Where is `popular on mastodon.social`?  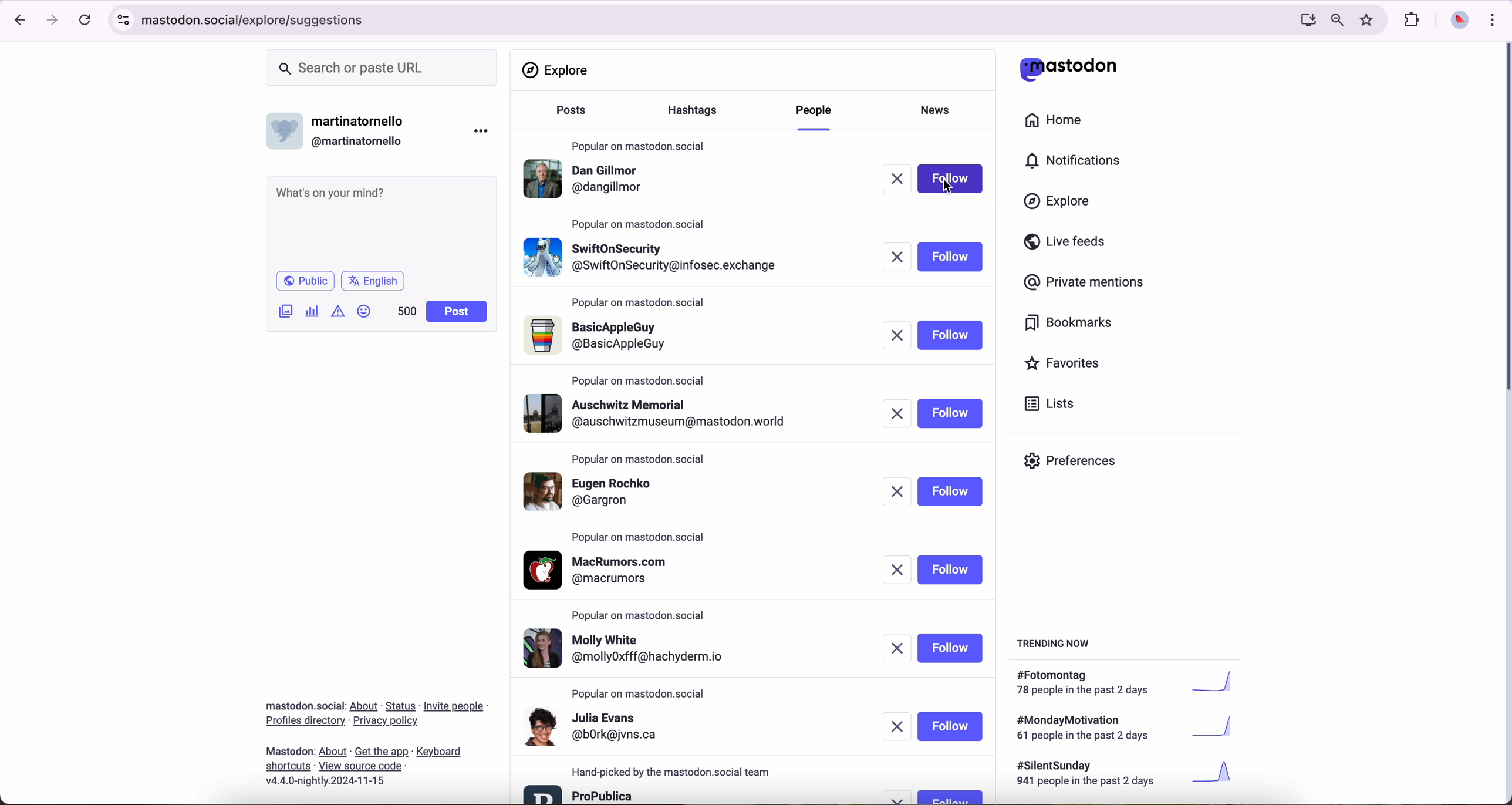 popular on mastodon.social is located at coordinates (644, 613).